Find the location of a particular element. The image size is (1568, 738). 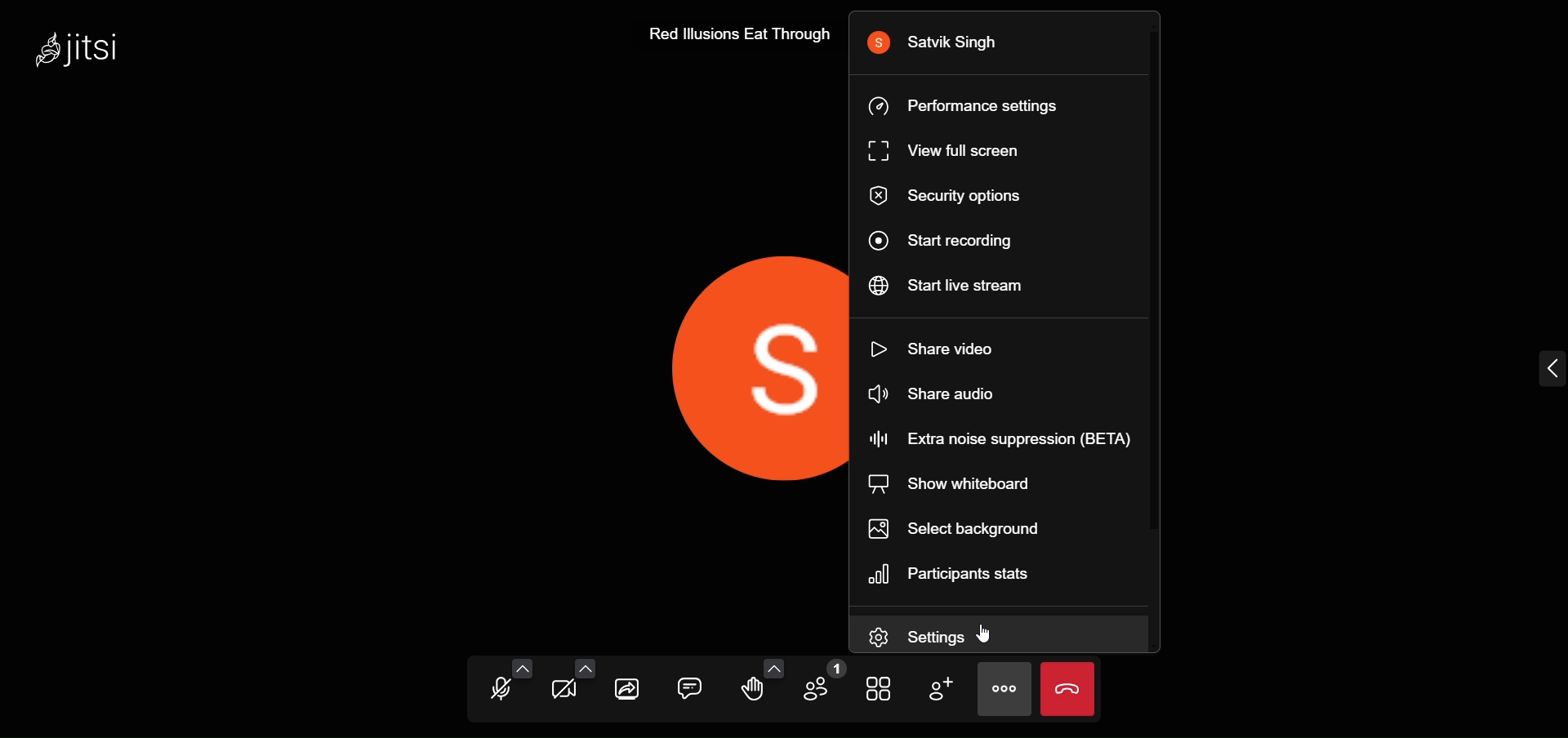

raise hand is located at coordinates (755, 691).